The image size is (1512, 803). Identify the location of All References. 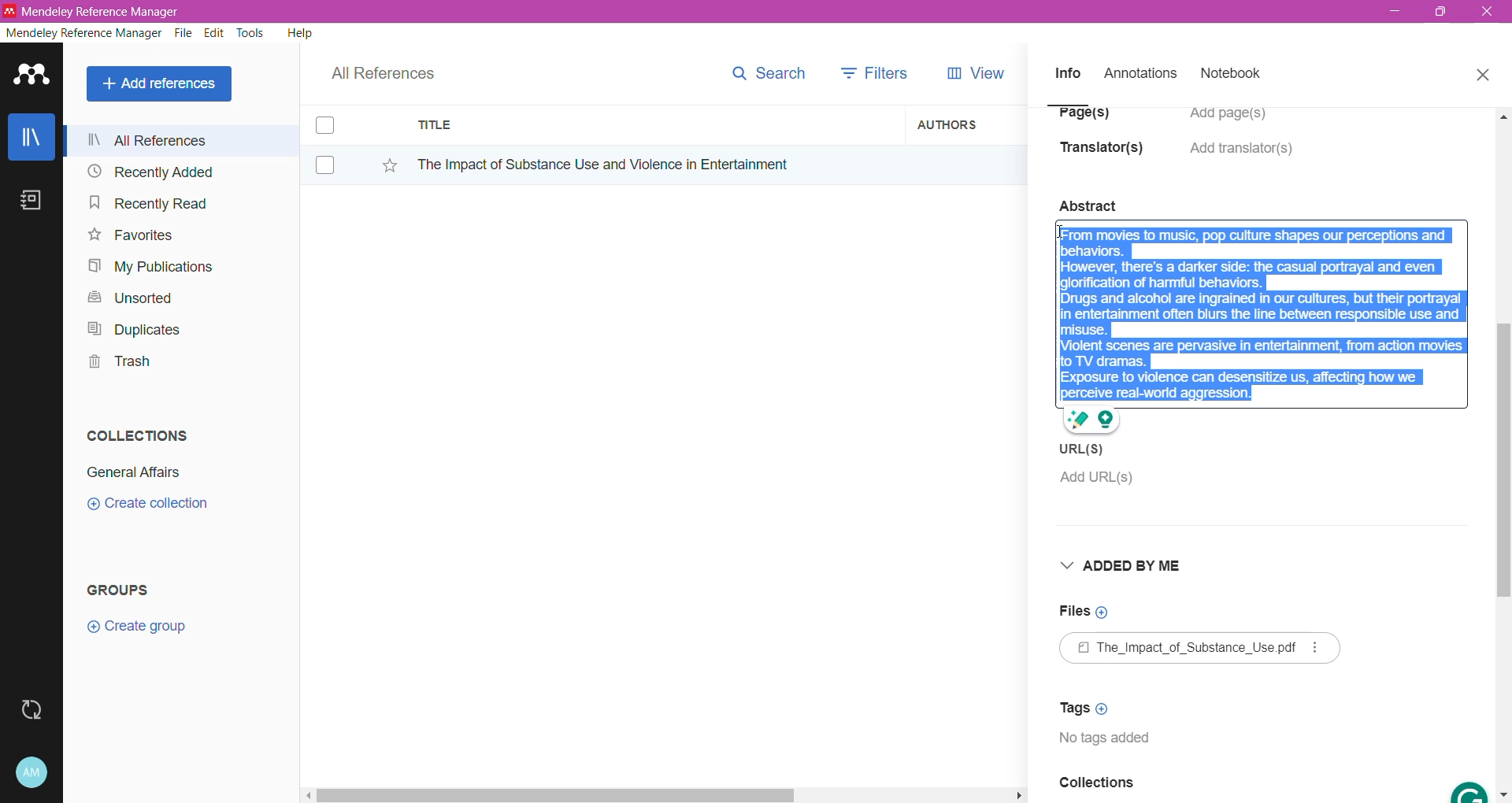
(180, 140).